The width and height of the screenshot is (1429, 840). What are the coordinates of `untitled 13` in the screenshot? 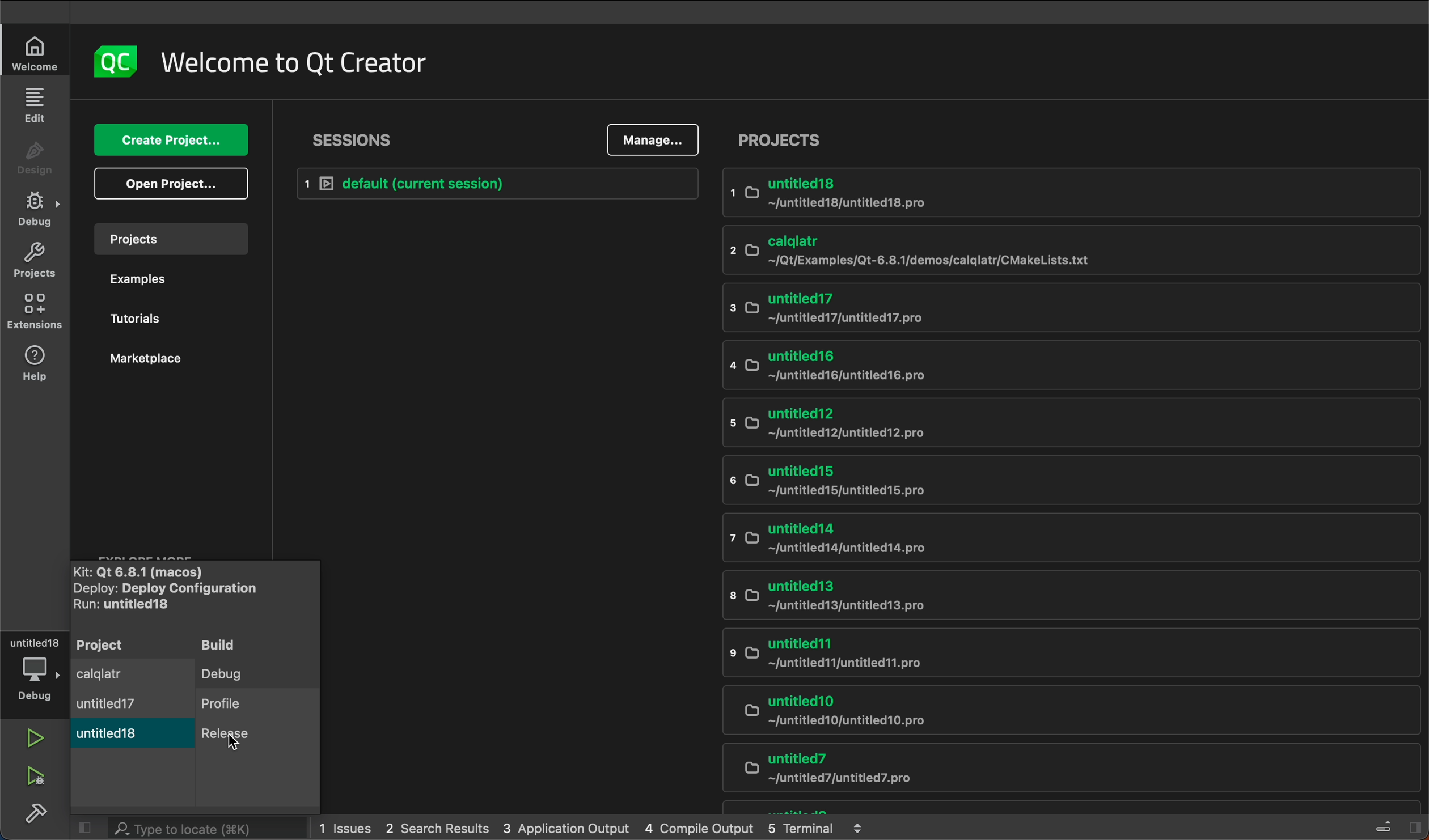 It's located at (1024, 596).